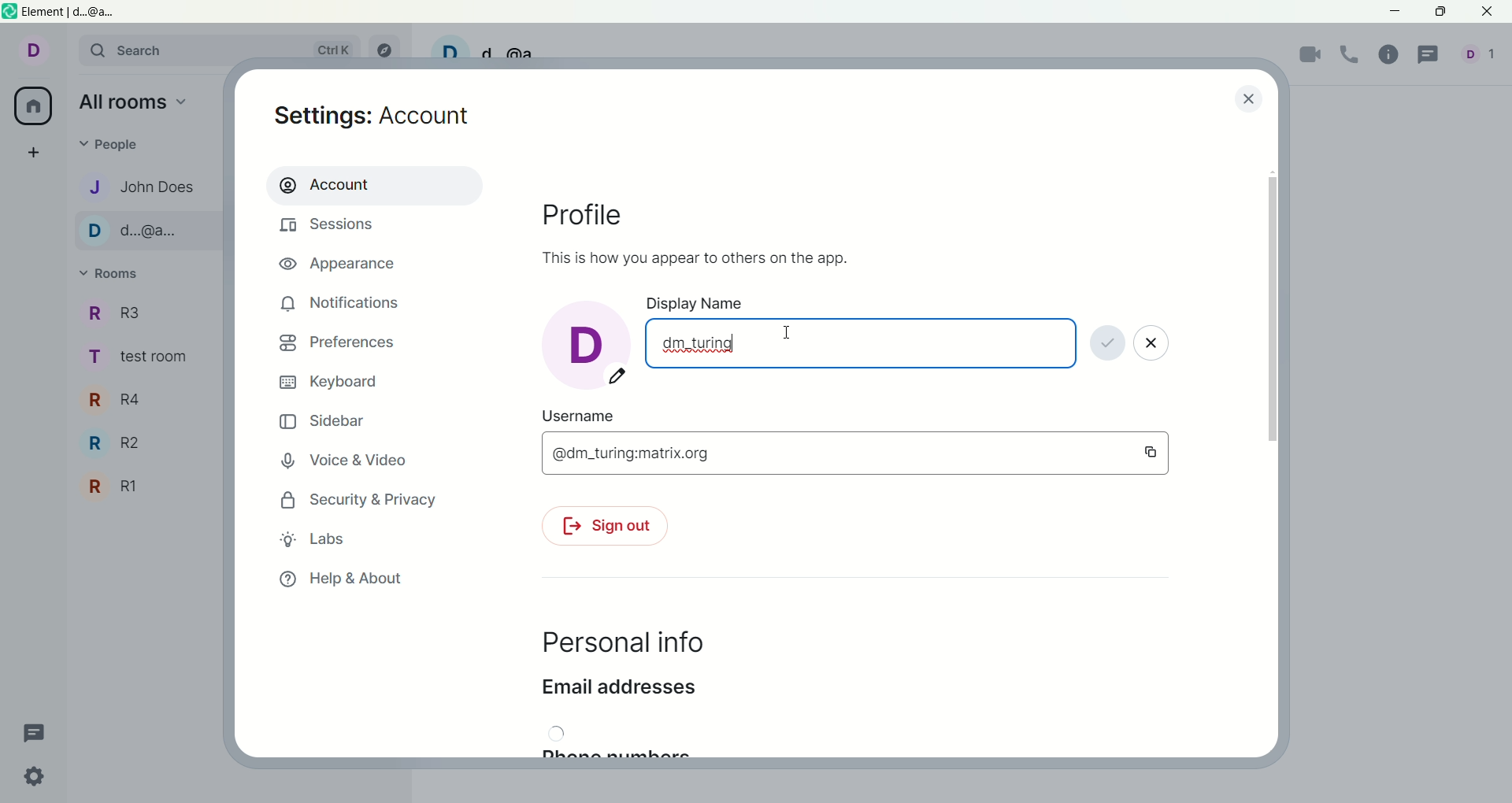 The width and height of the screenshot is (1512, 803). What do you see at coordinates (1154, 346) in the screenshot?
I see `close` at bounding box center [1154, 346].